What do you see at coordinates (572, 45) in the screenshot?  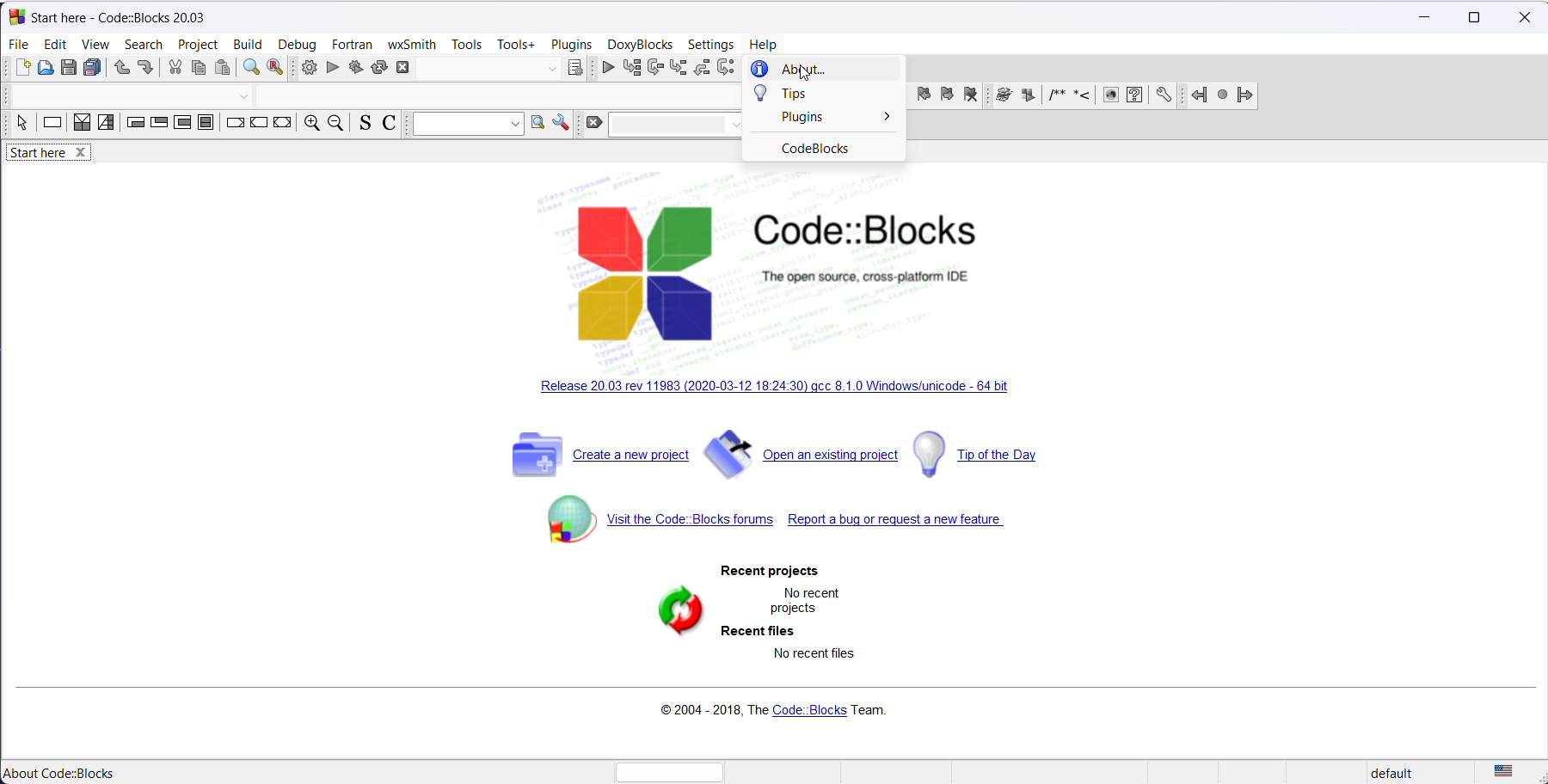 I see `plugins` at bounding box center [572, 45].